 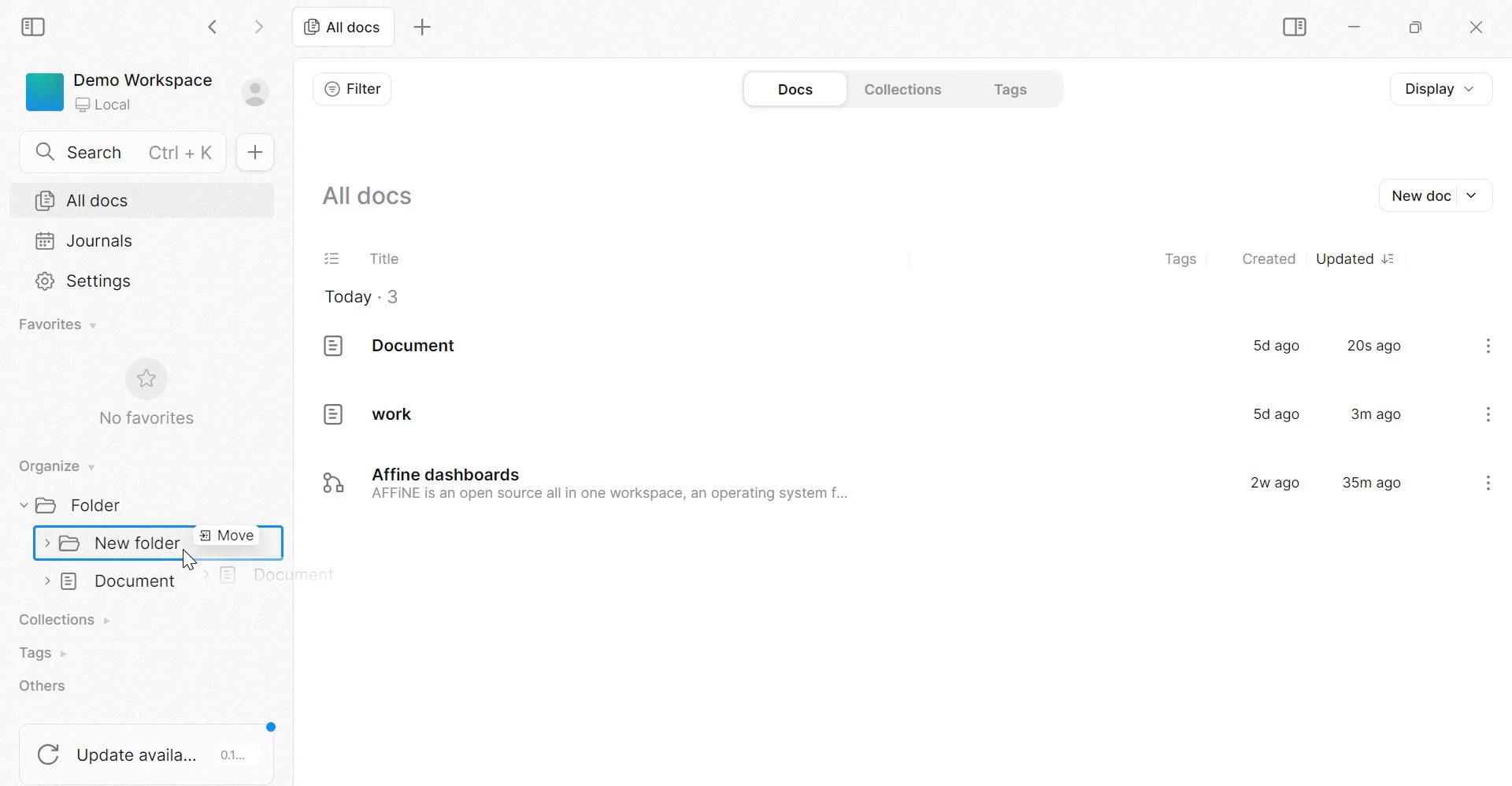 I want to click on go forward, so click(x=261, y=25).